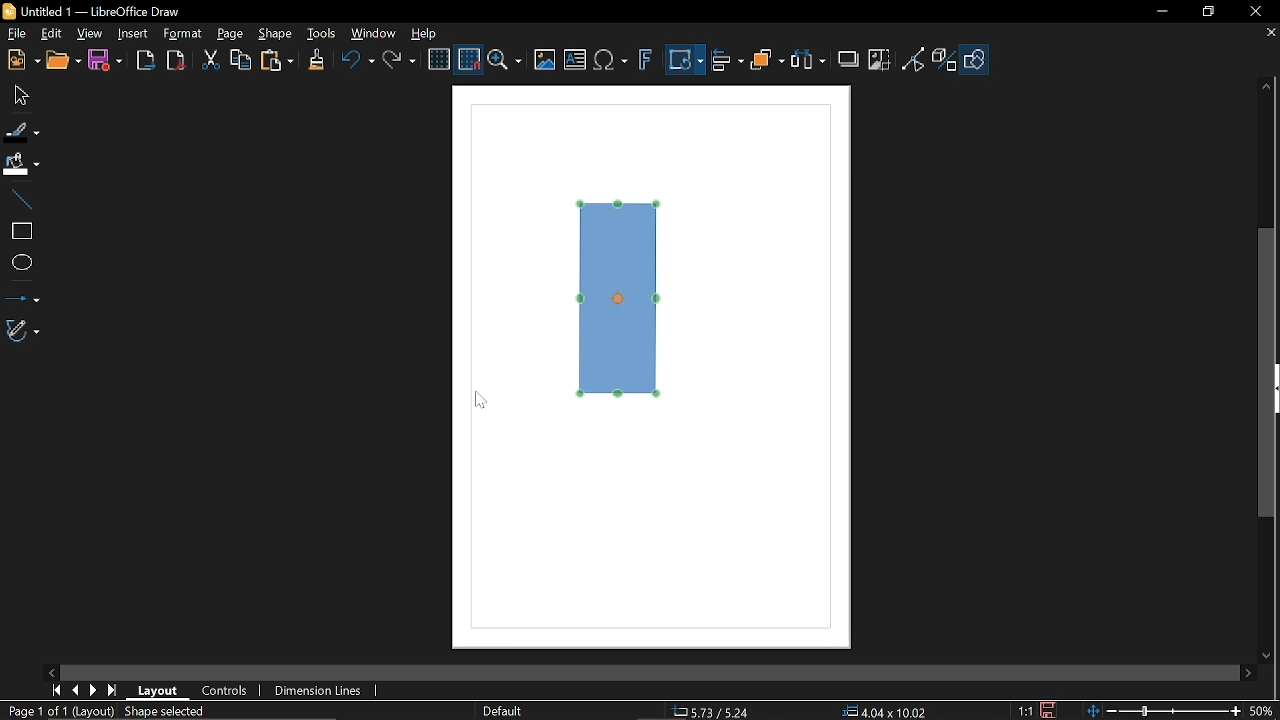  Describe the element at coordinates (1250, 674) in the screenshot. I see `Move right` at that location.